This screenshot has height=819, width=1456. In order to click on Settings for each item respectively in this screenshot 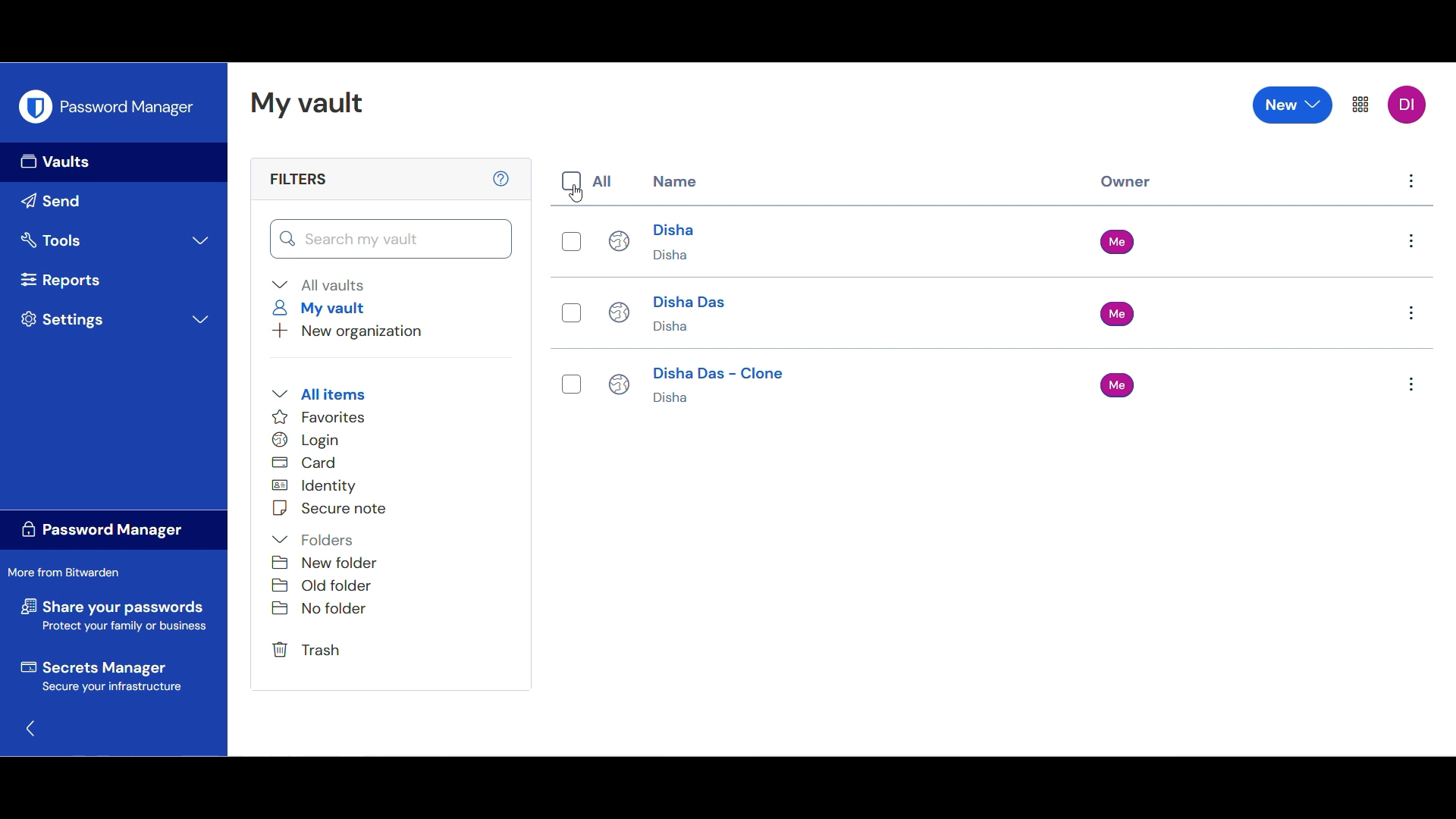, I will do `click(1412, 240)`.